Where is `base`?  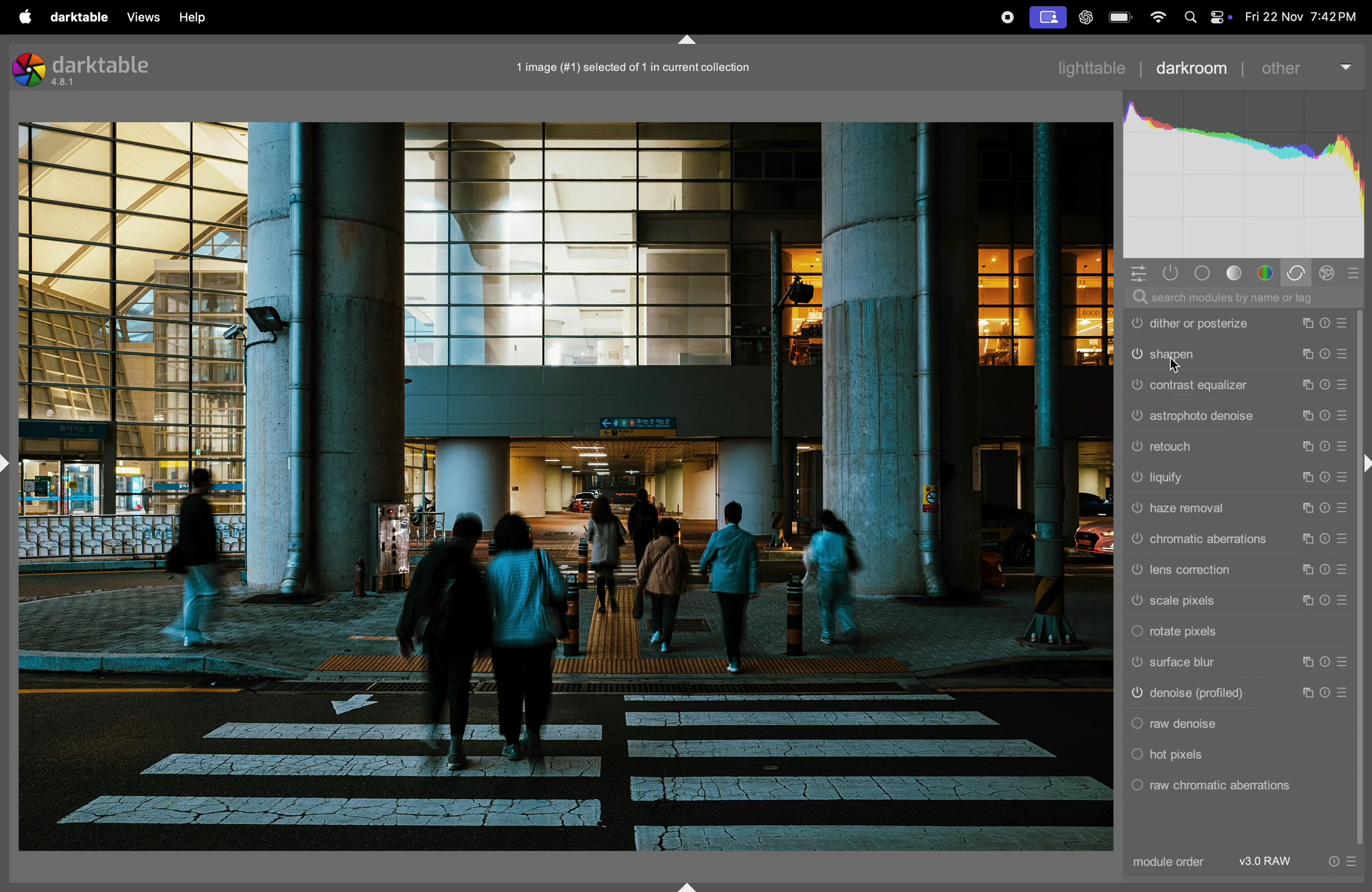
base is located at coordinates (1201, 273).